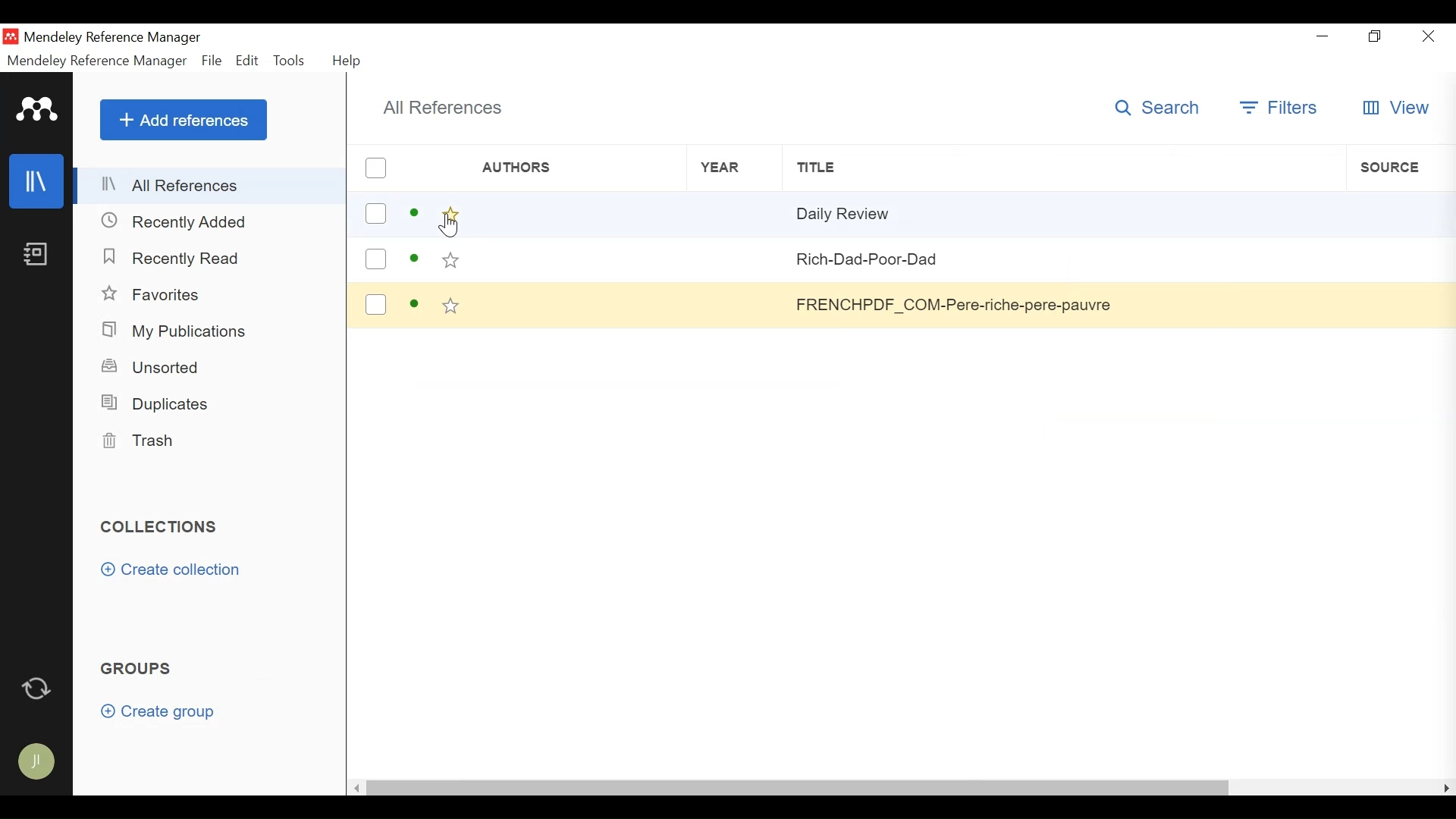 Image resolution: width=1456 pixels, height=819 pixels. What do you see at coordinates (247, 60) in the screenshot?
I see `Edit` at bounding box center [247, 60].